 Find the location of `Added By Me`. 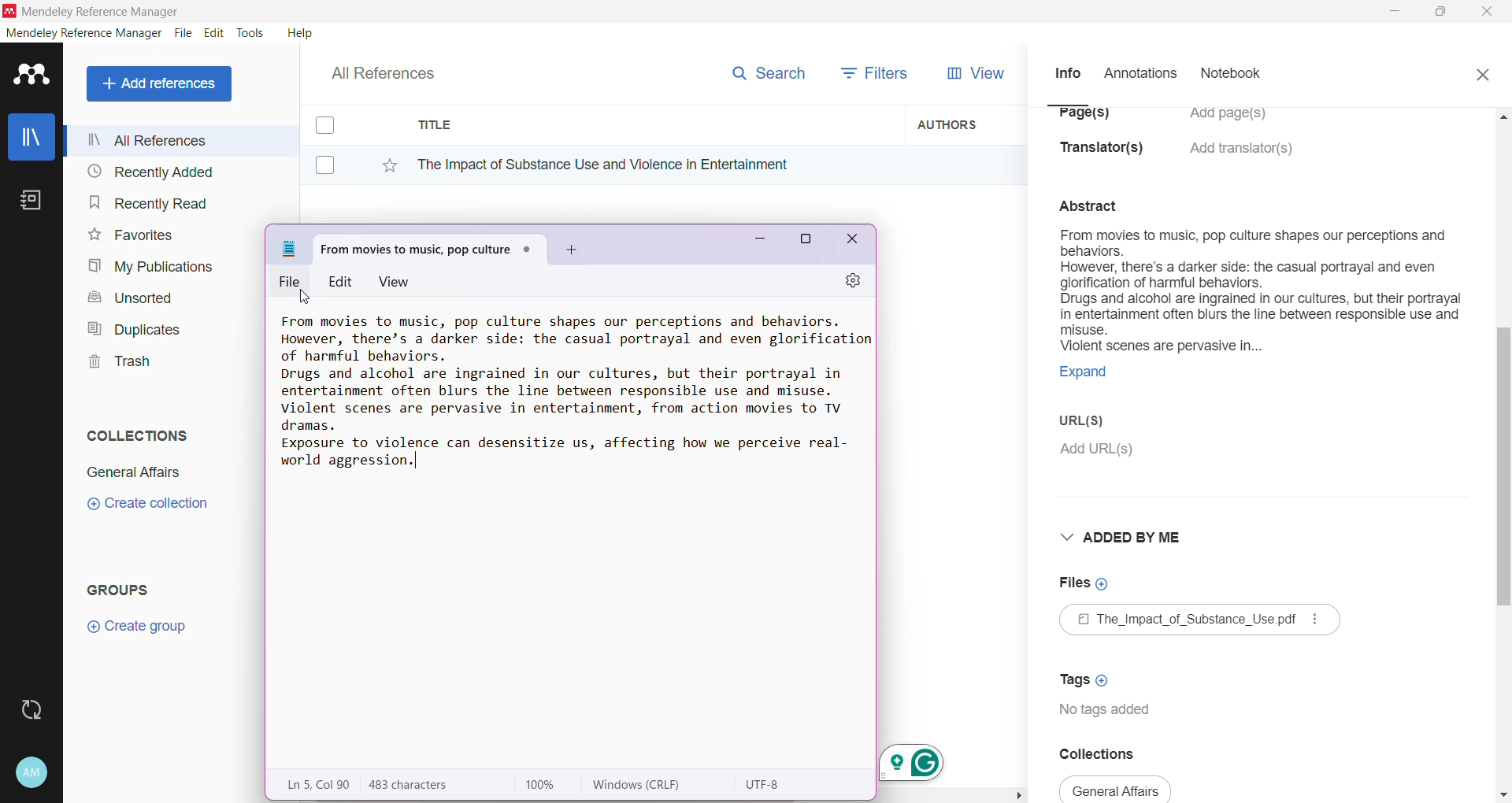

Added By Me is located at coordinates (1125, 537).